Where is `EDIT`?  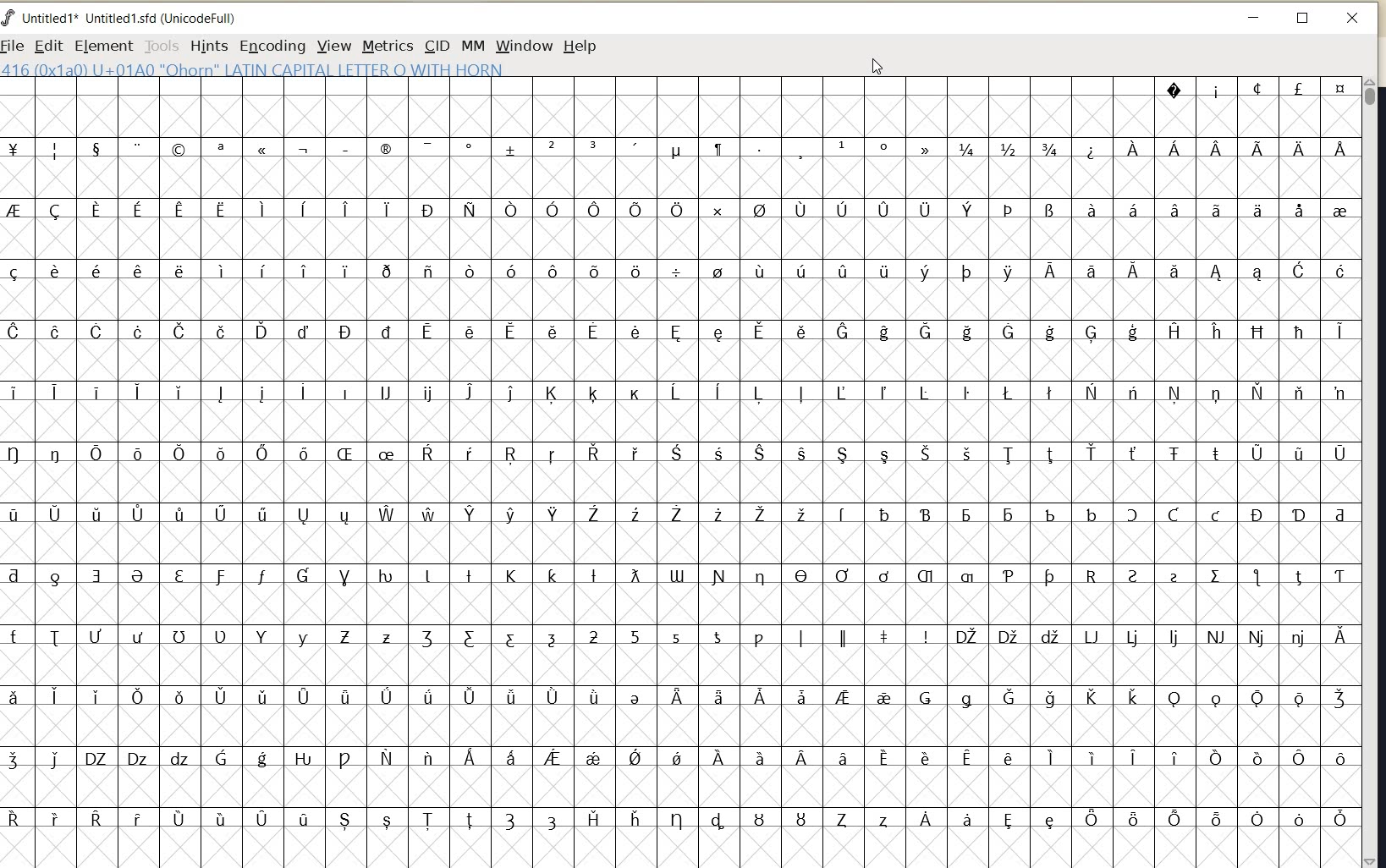 EDIT is located at coordinates (46, 45).